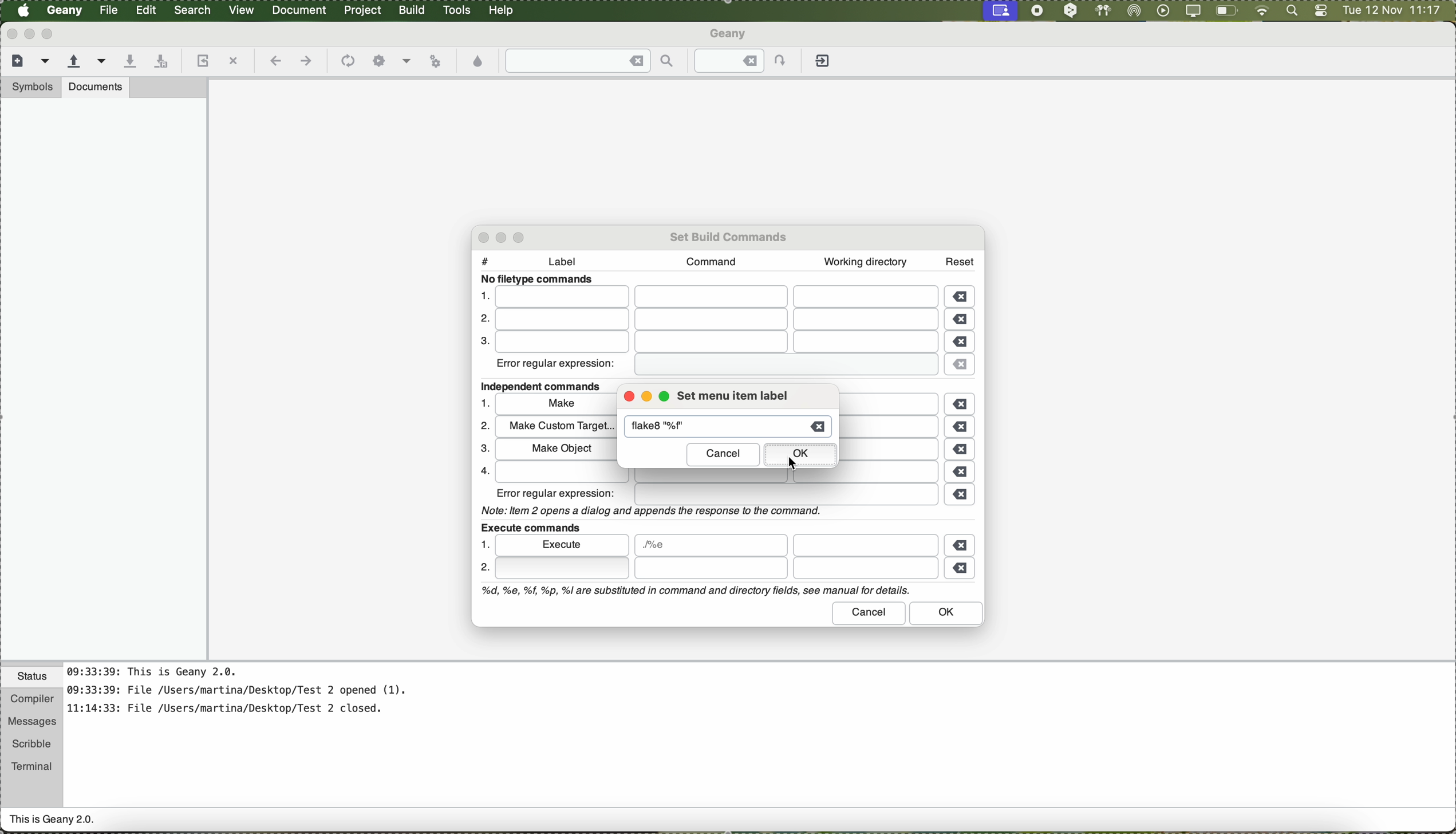 The image size is (1456, 834). I want to click on close the current file, so click(233, 62).